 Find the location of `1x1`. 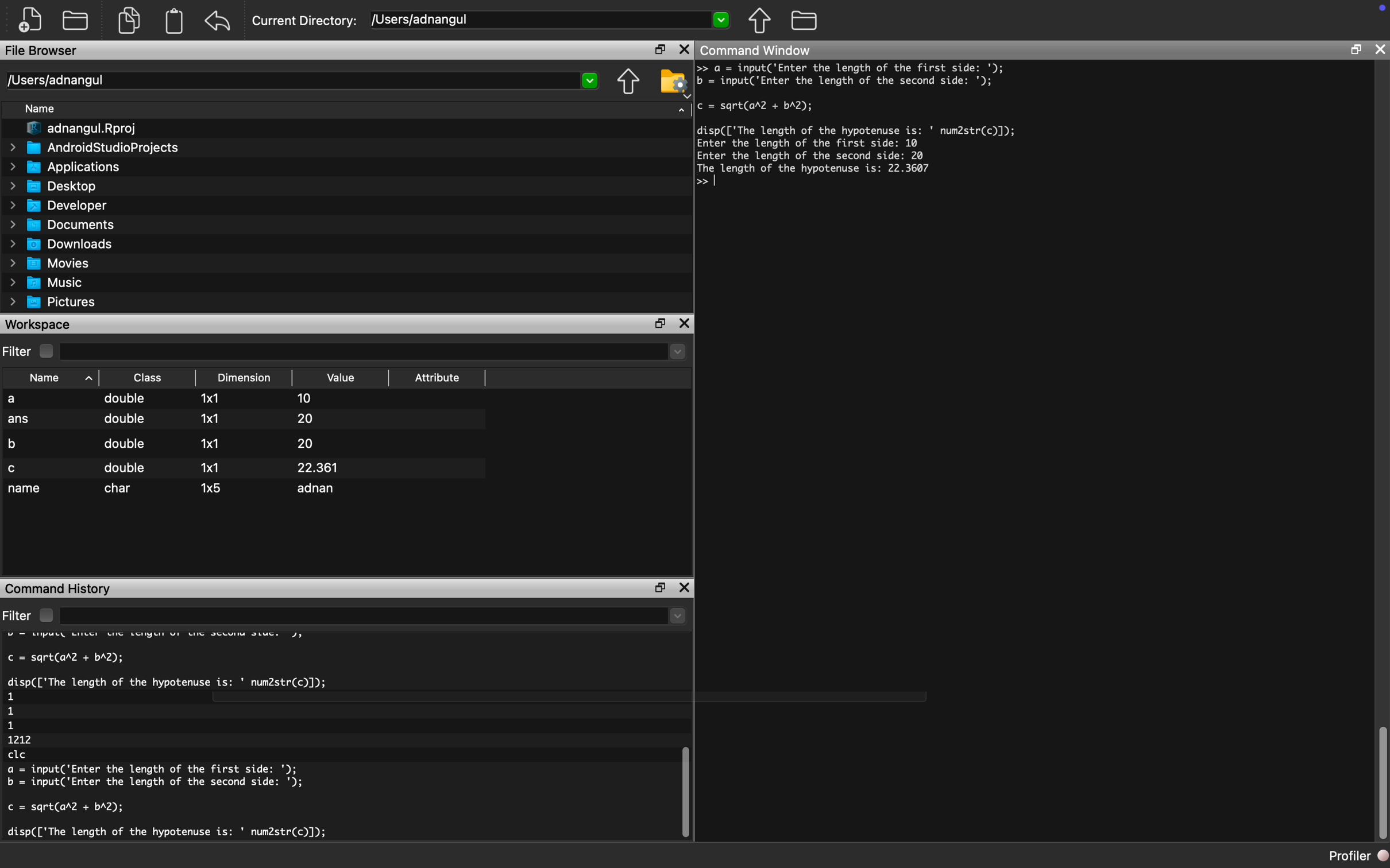

1x1 is located at coordinates (214, 400).